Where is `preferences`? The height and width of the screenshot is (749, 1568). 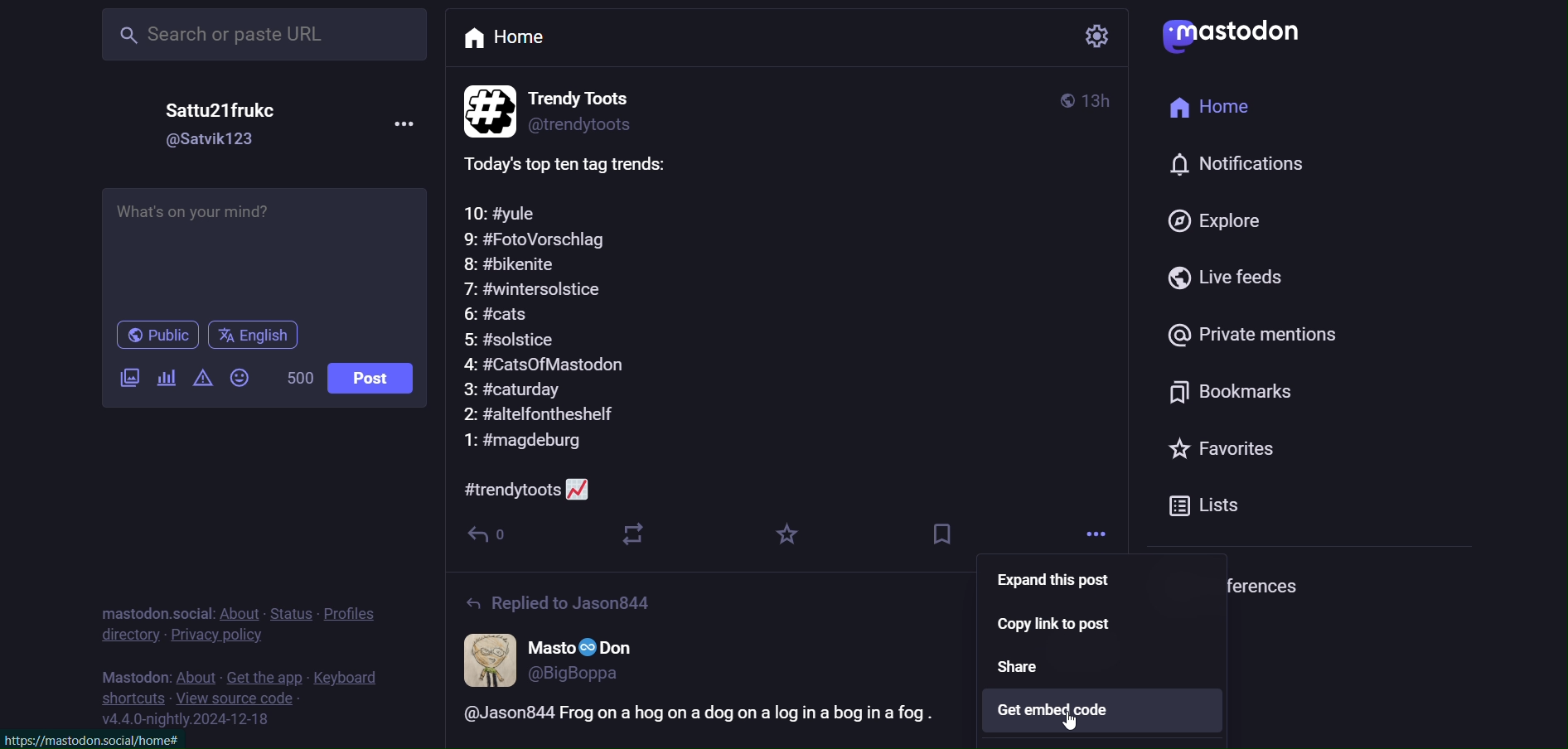 preferences is located at coordinates (1232, 582).